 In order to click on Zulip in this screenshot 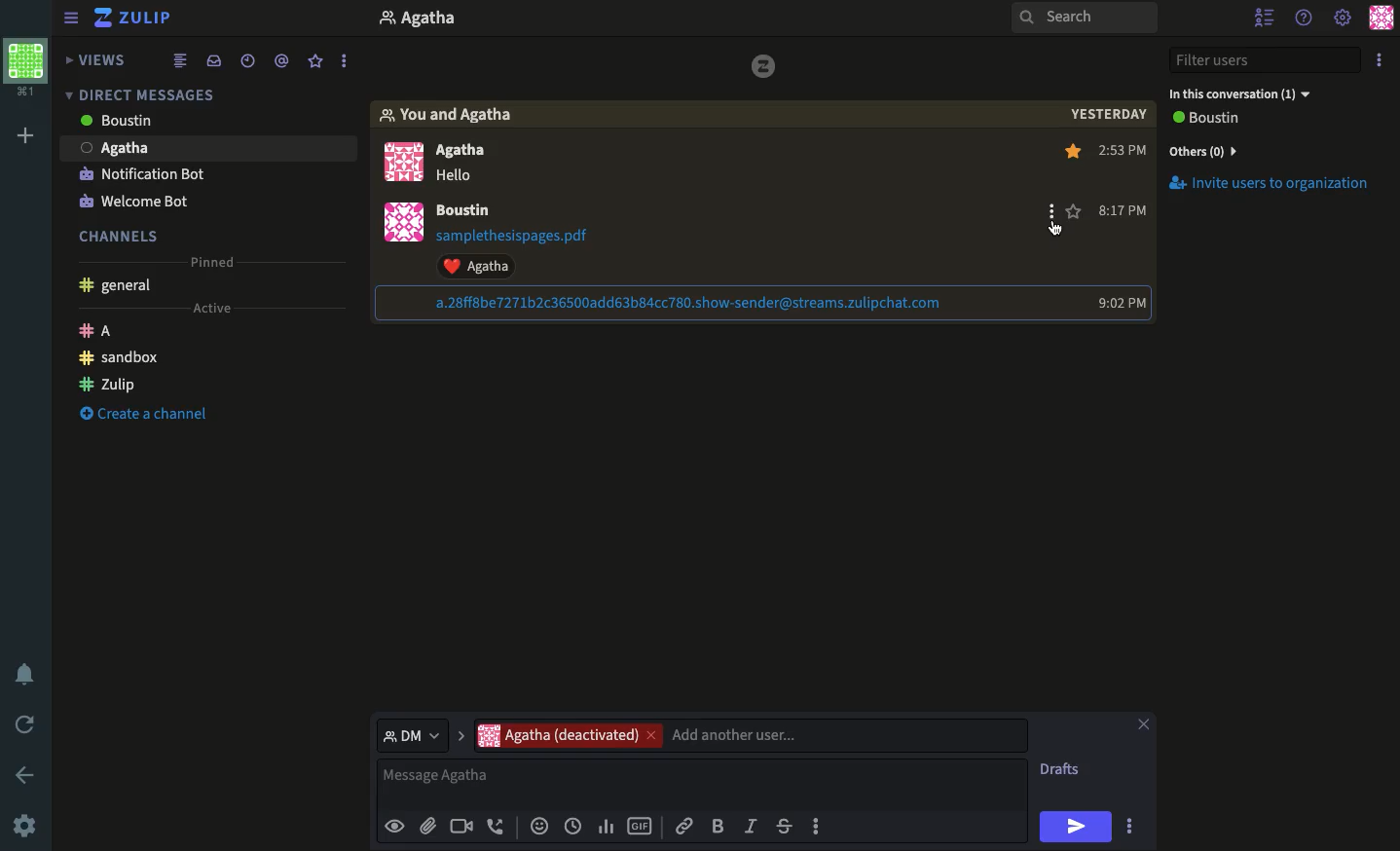, I will do `click(136, 19)`.